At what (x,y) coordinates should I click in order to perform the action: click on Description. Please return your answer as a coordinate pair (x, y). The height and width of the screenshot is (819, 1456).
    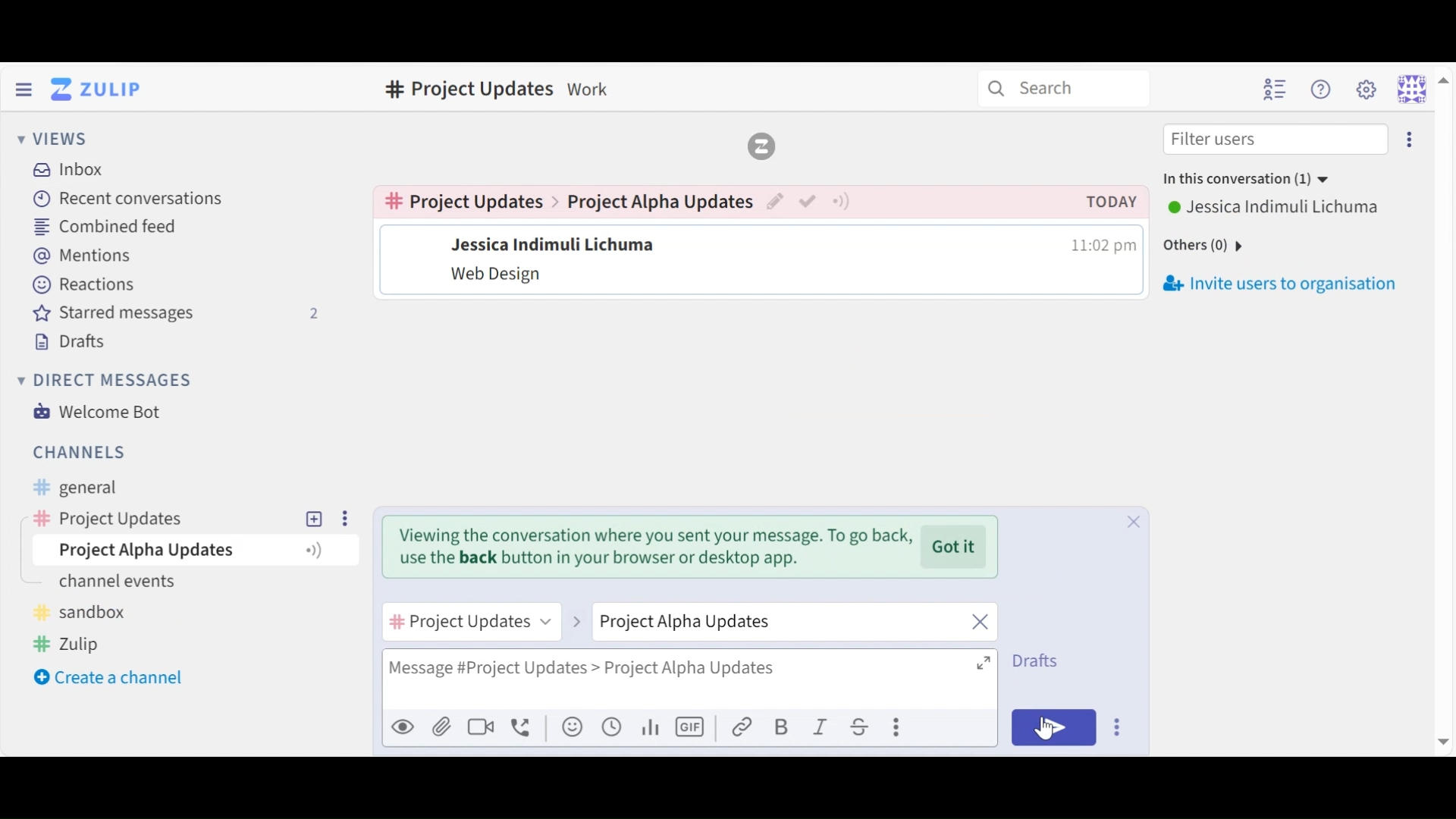
    Looking at the image, I should click on (589, 92).